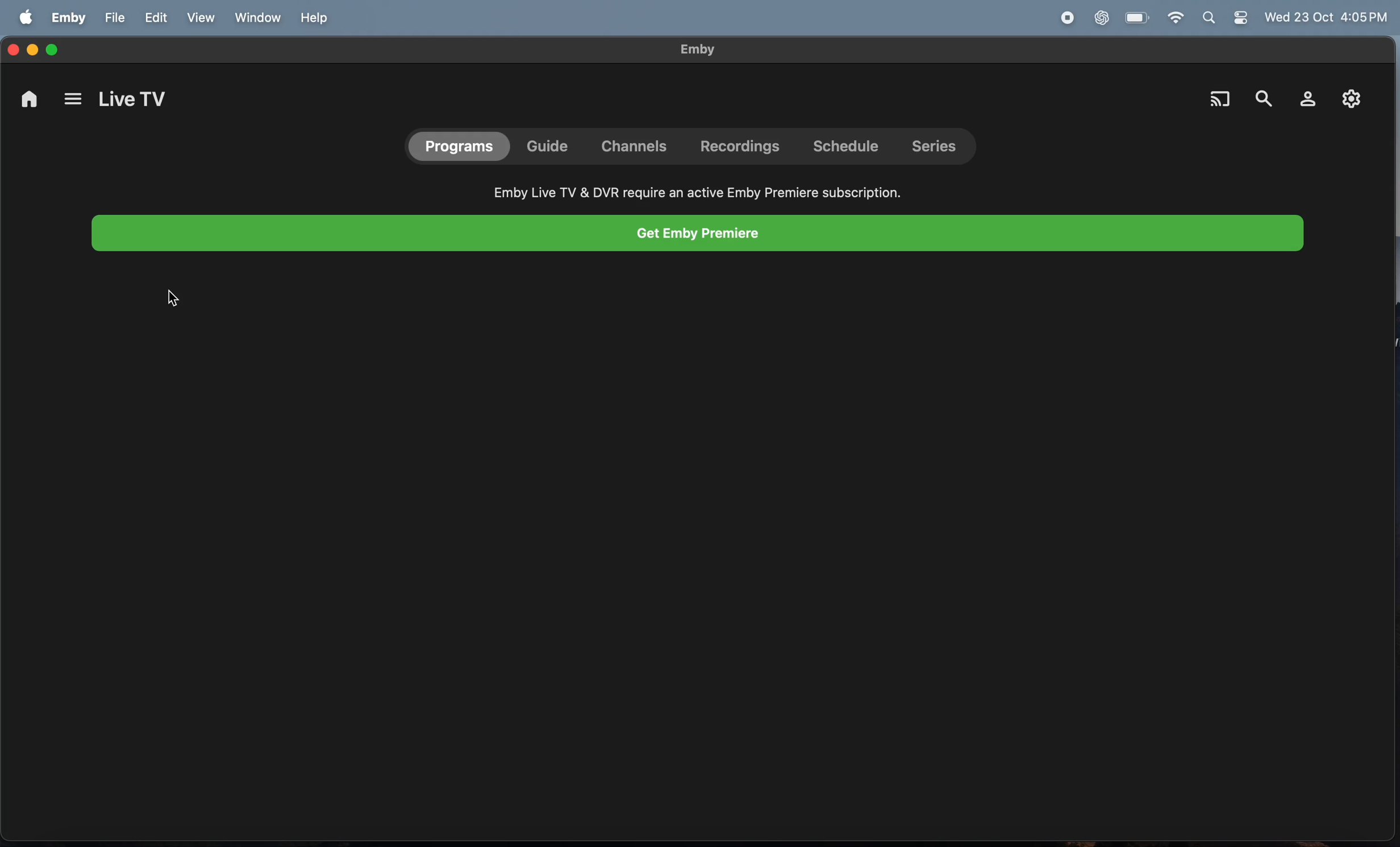  I want to click on get emby premiere, so click(698, 234).